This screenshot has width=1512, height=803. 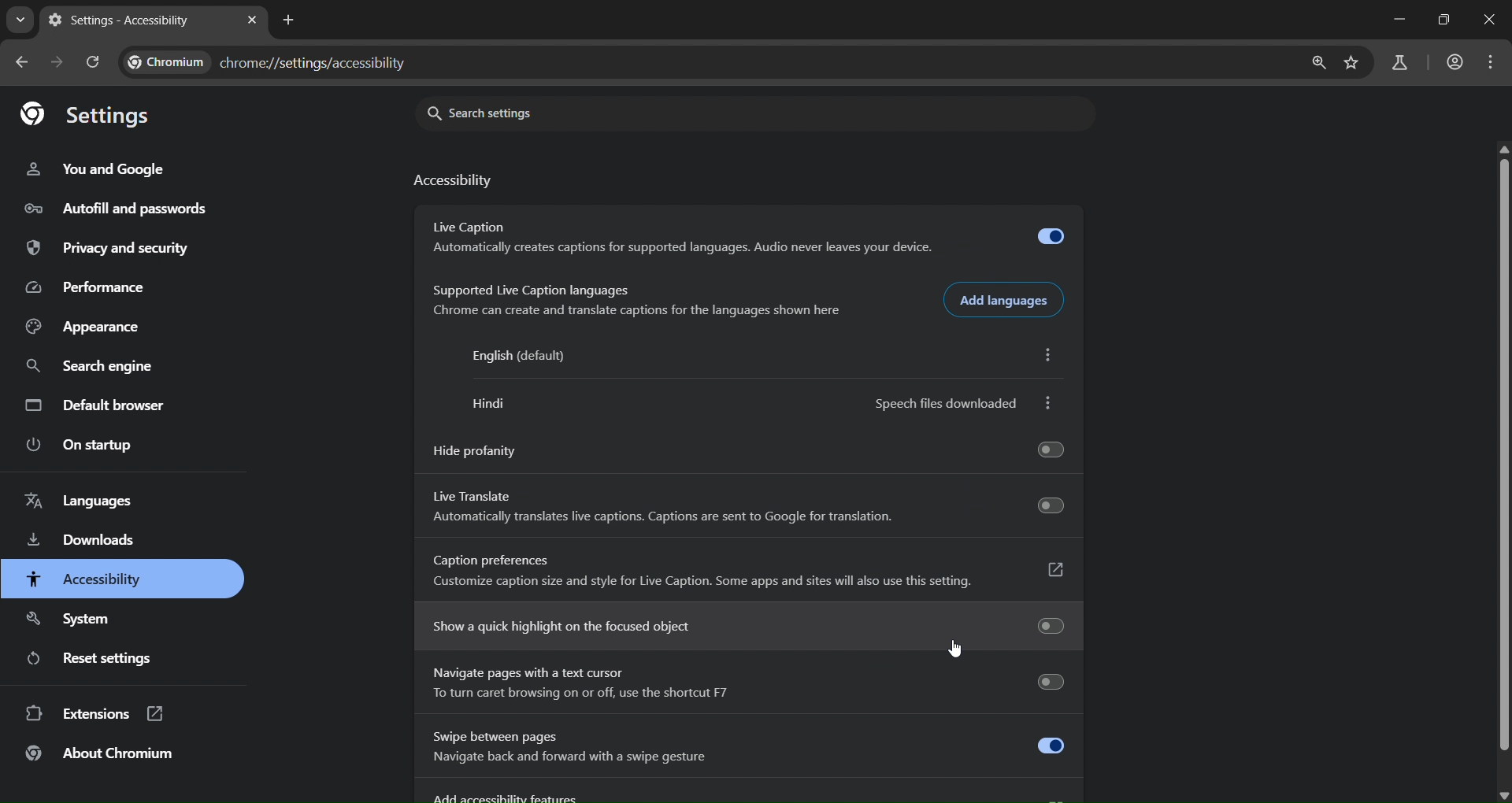 What do you see at coordinates (91, 327) in the screenshot?
I see `appearance` at bounding box center [91, 327].